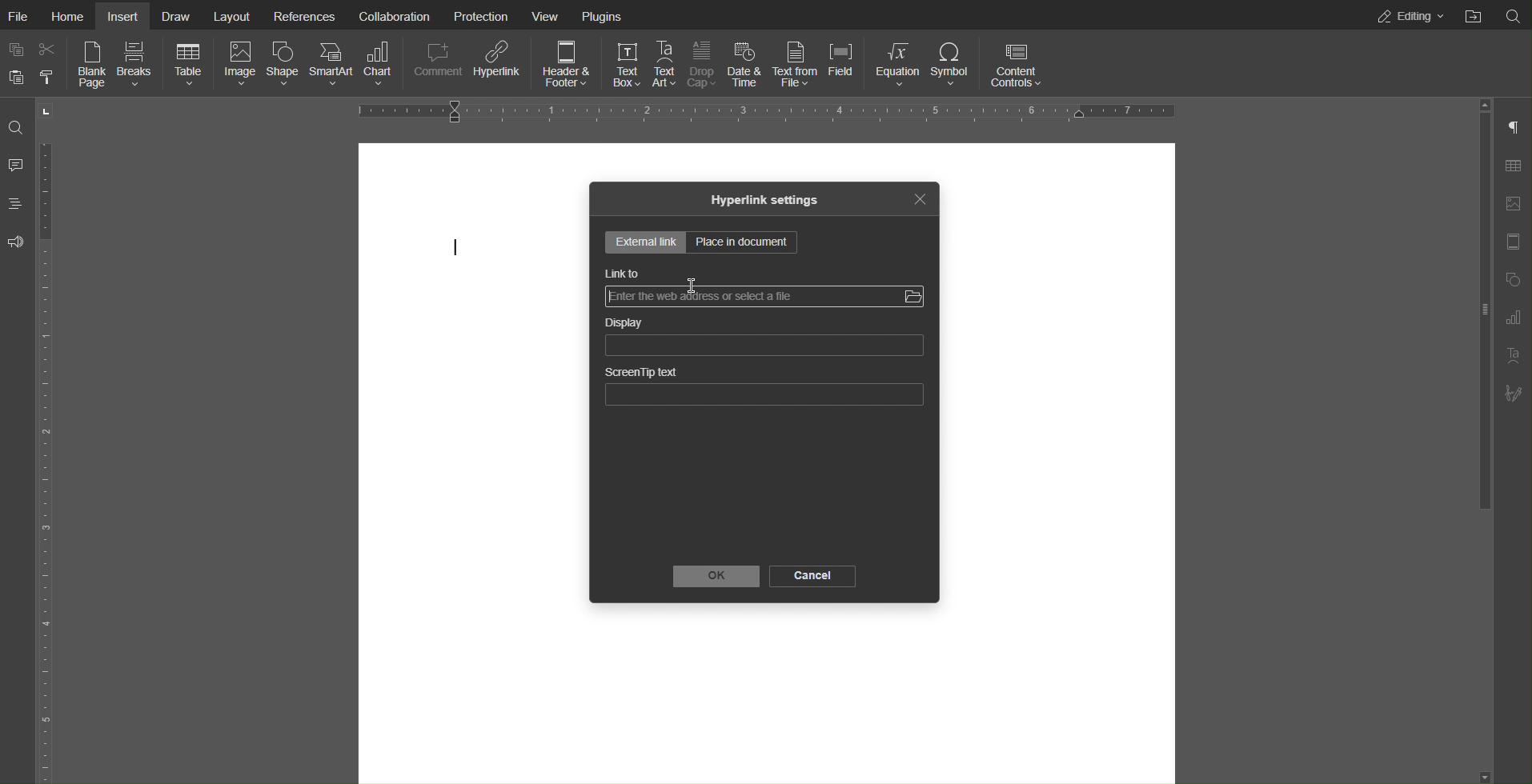  I want to click on Equation, so click(897, 65).